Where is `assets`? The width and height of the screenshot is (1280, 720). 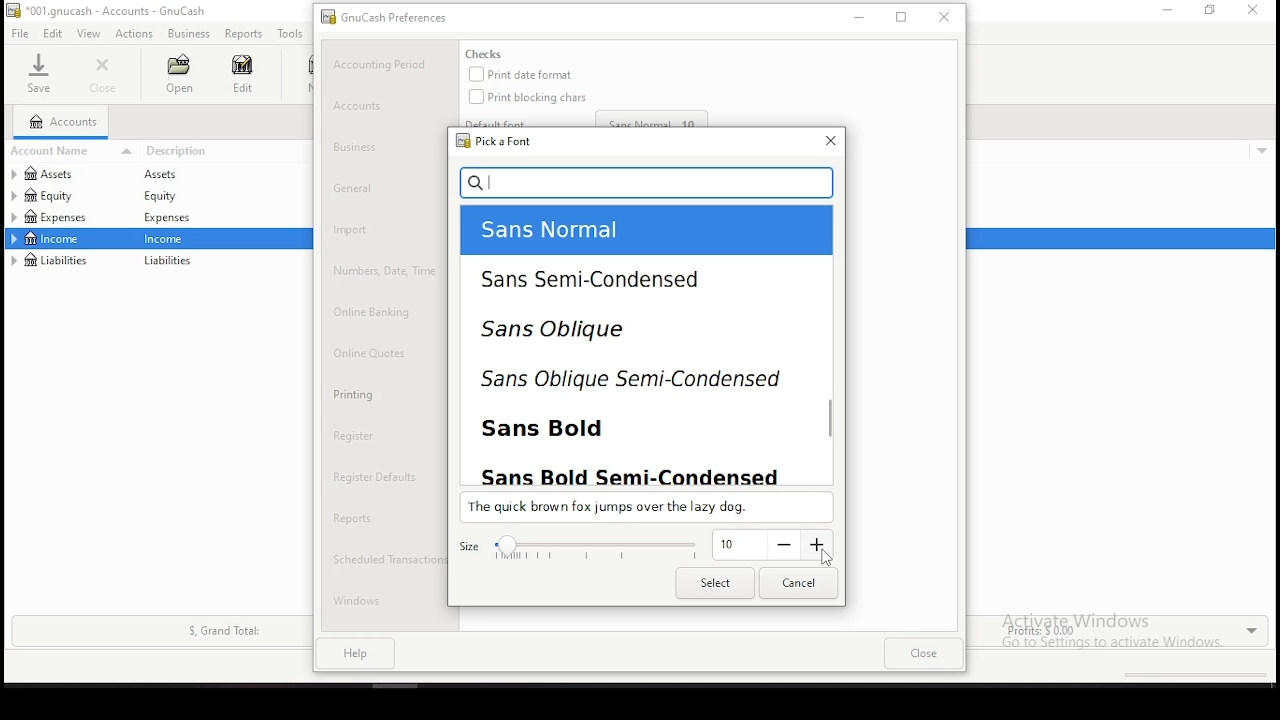
assets is located at coordinates (66, 174).